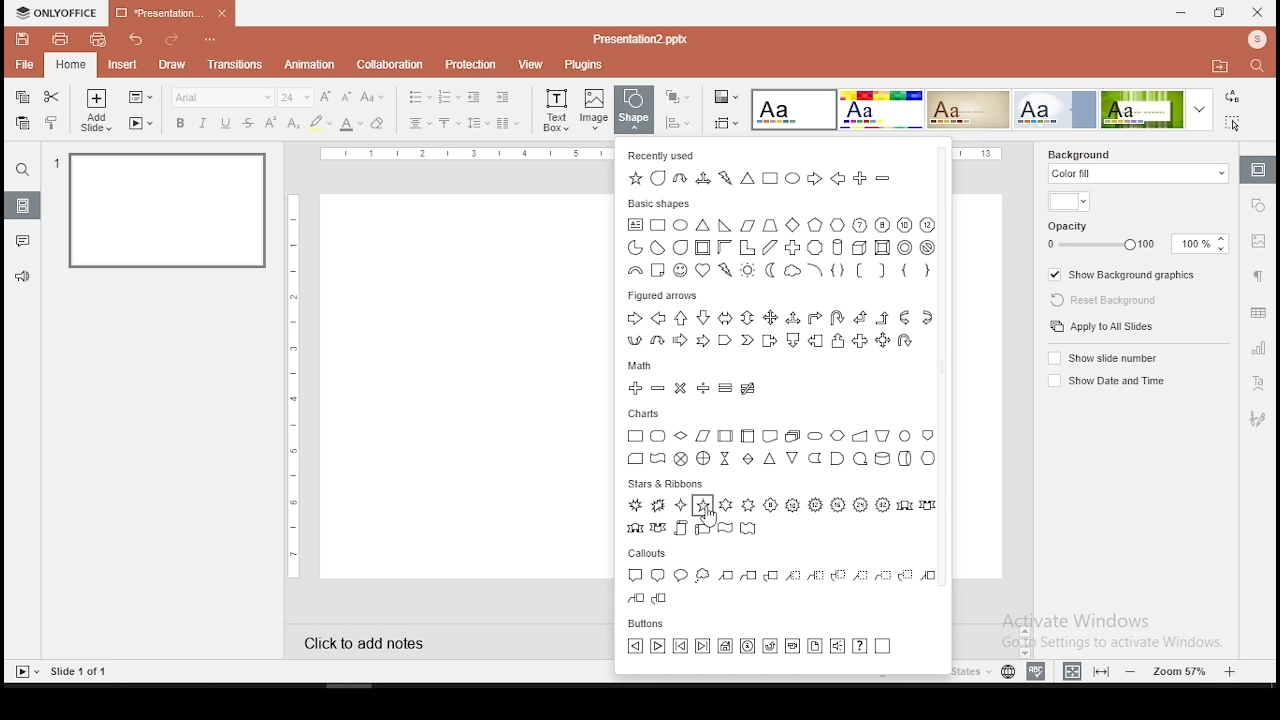 This screenshot has height=720, width=1280. What do you see at coordinates (1220, 13) in the screenshot?
I see `restore` at bounding box center [1220, 13].